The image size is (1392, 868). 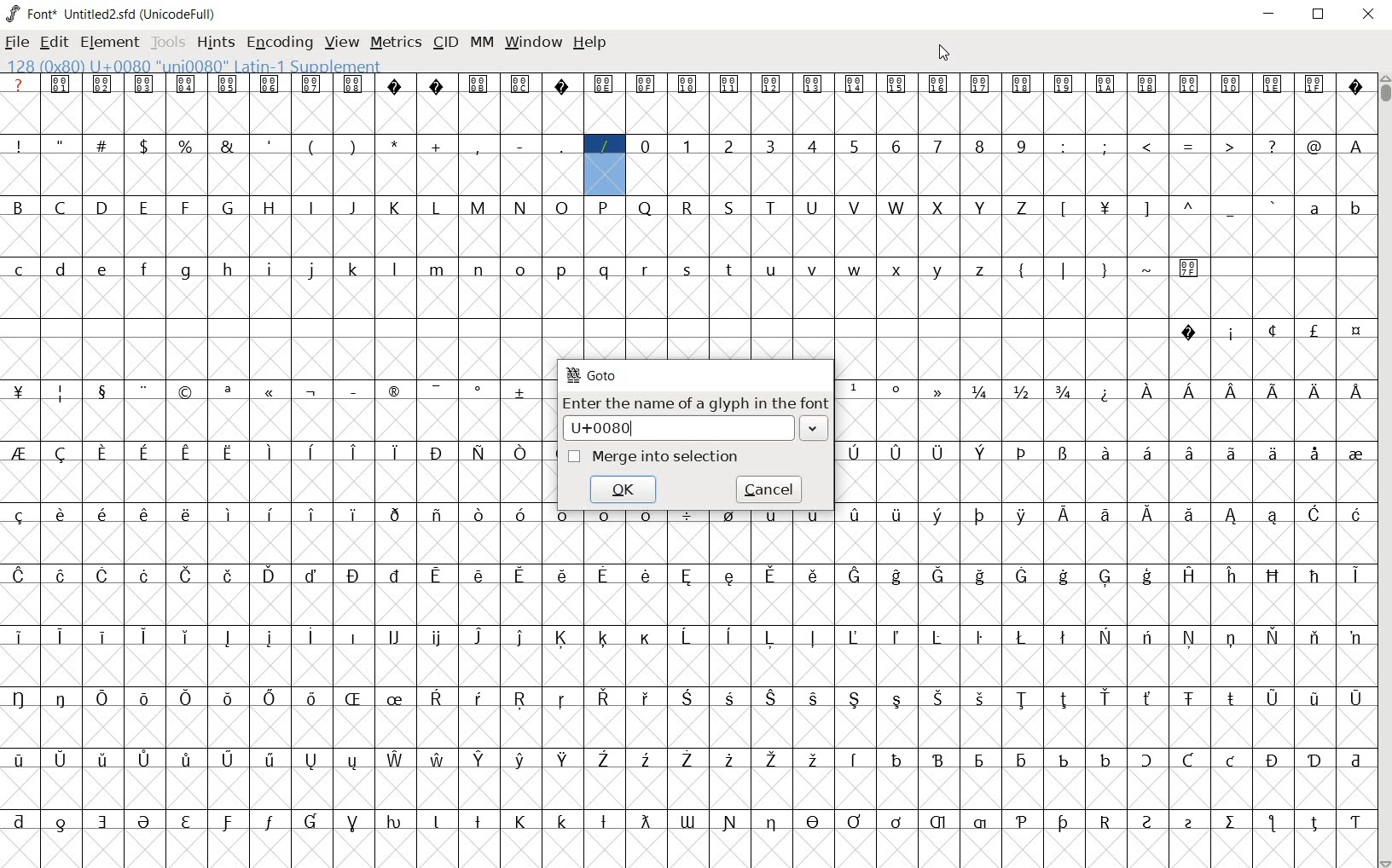 I want to click on glyph, so click(x=354, y=515).